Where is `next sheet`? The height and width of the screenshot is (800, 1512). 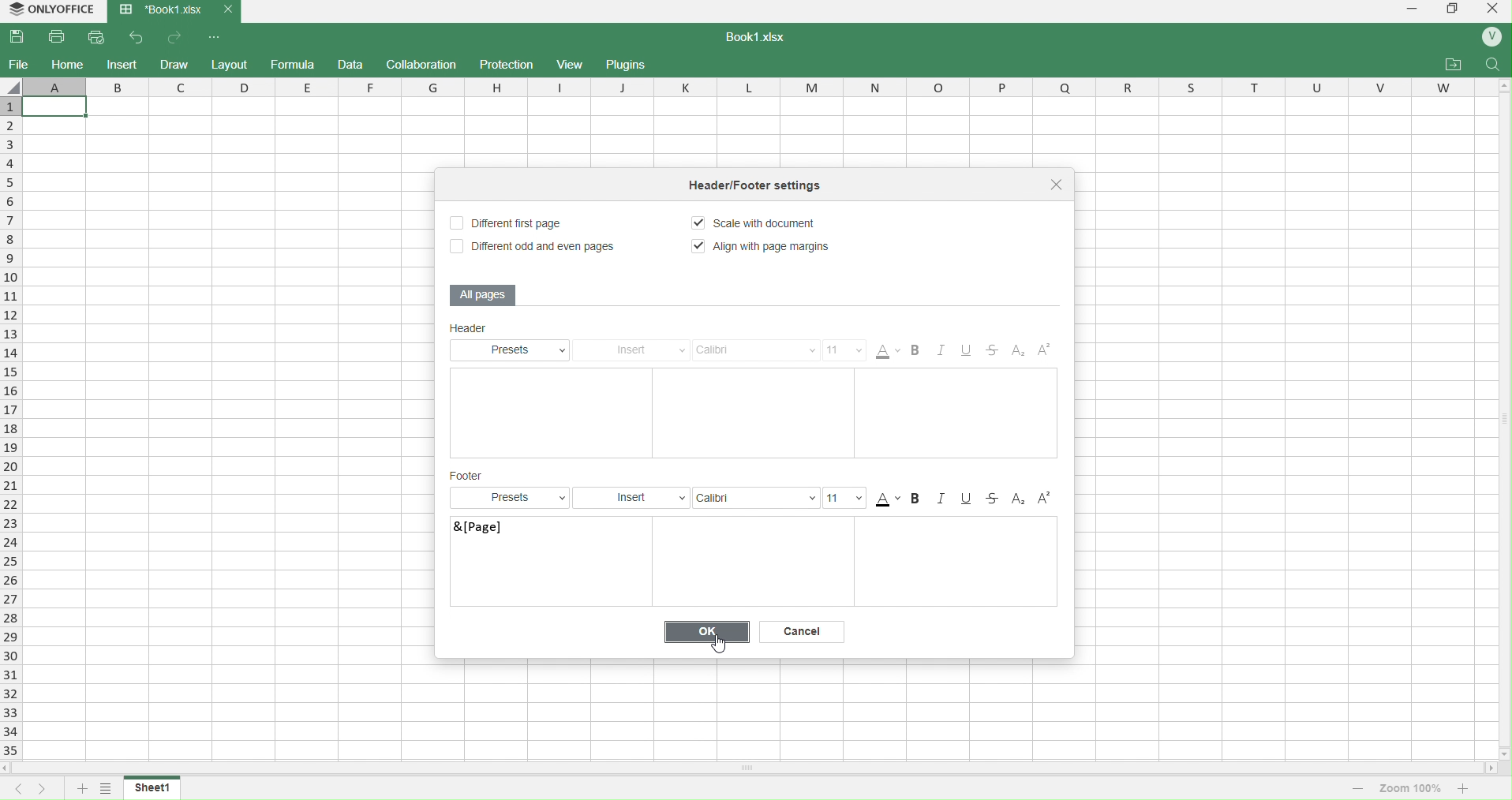
next sheet is located at coordinates (39, 789).